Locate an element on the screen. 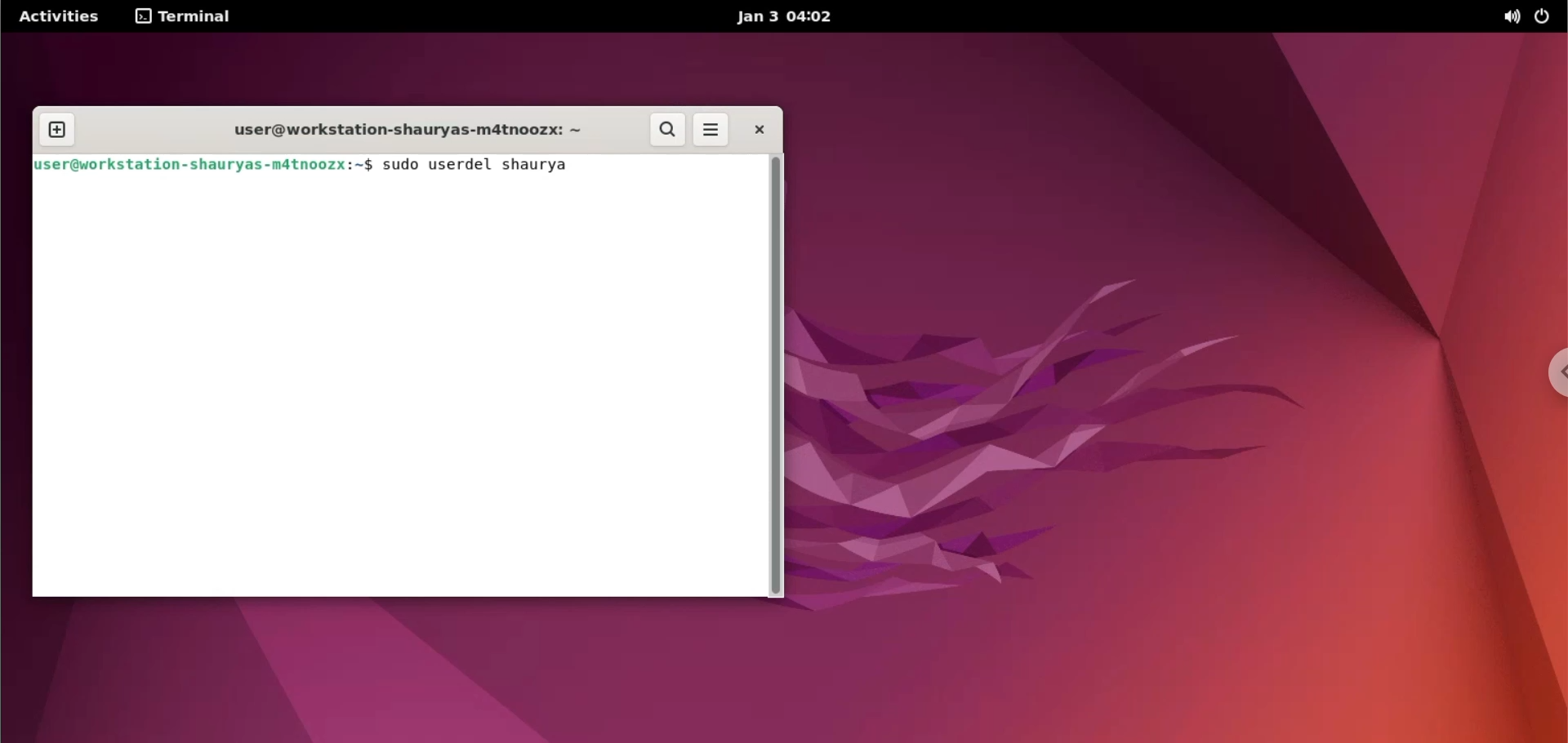 This screenshot has height=743, width=1568. user@workstation-shauryas-m4tnoozx: ~ is located at coordinates (410, 129).